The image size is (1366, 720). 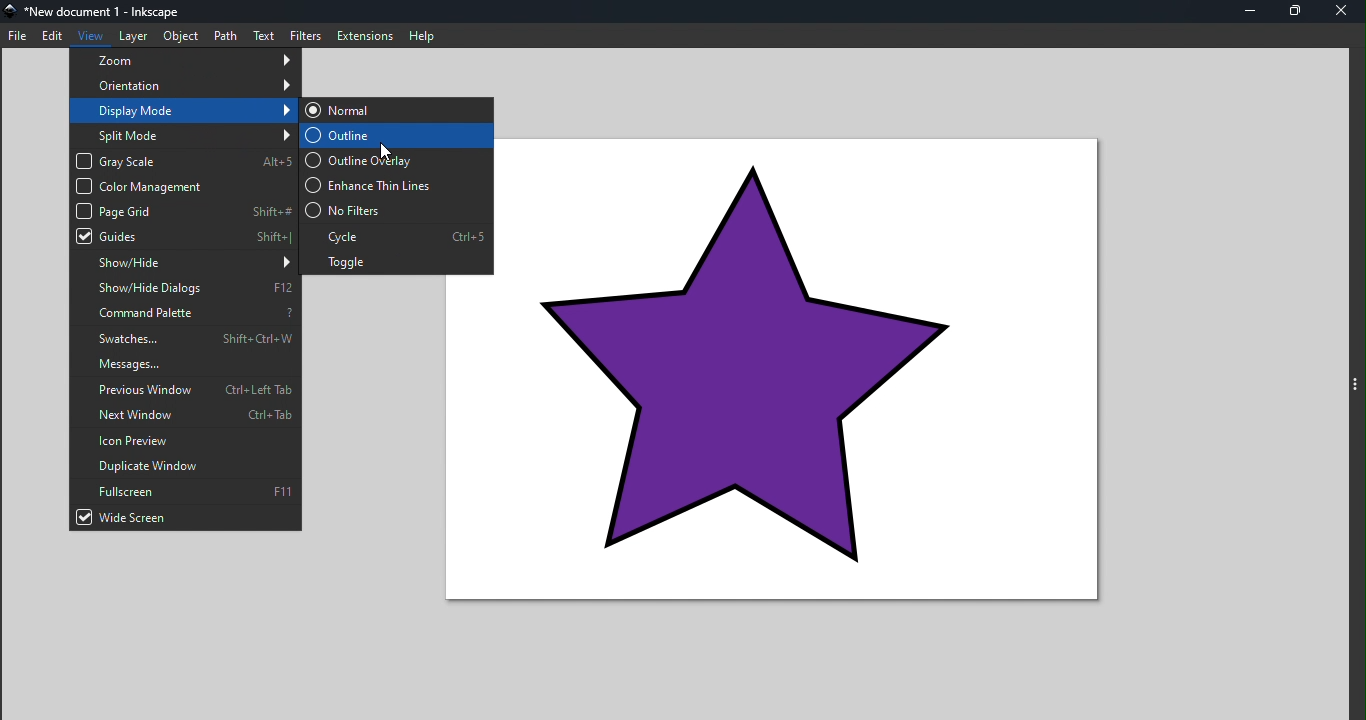 What do you see at coordinates (301, 37) in the screenshot?
I see `Filters` at bounding box center [301, 37].